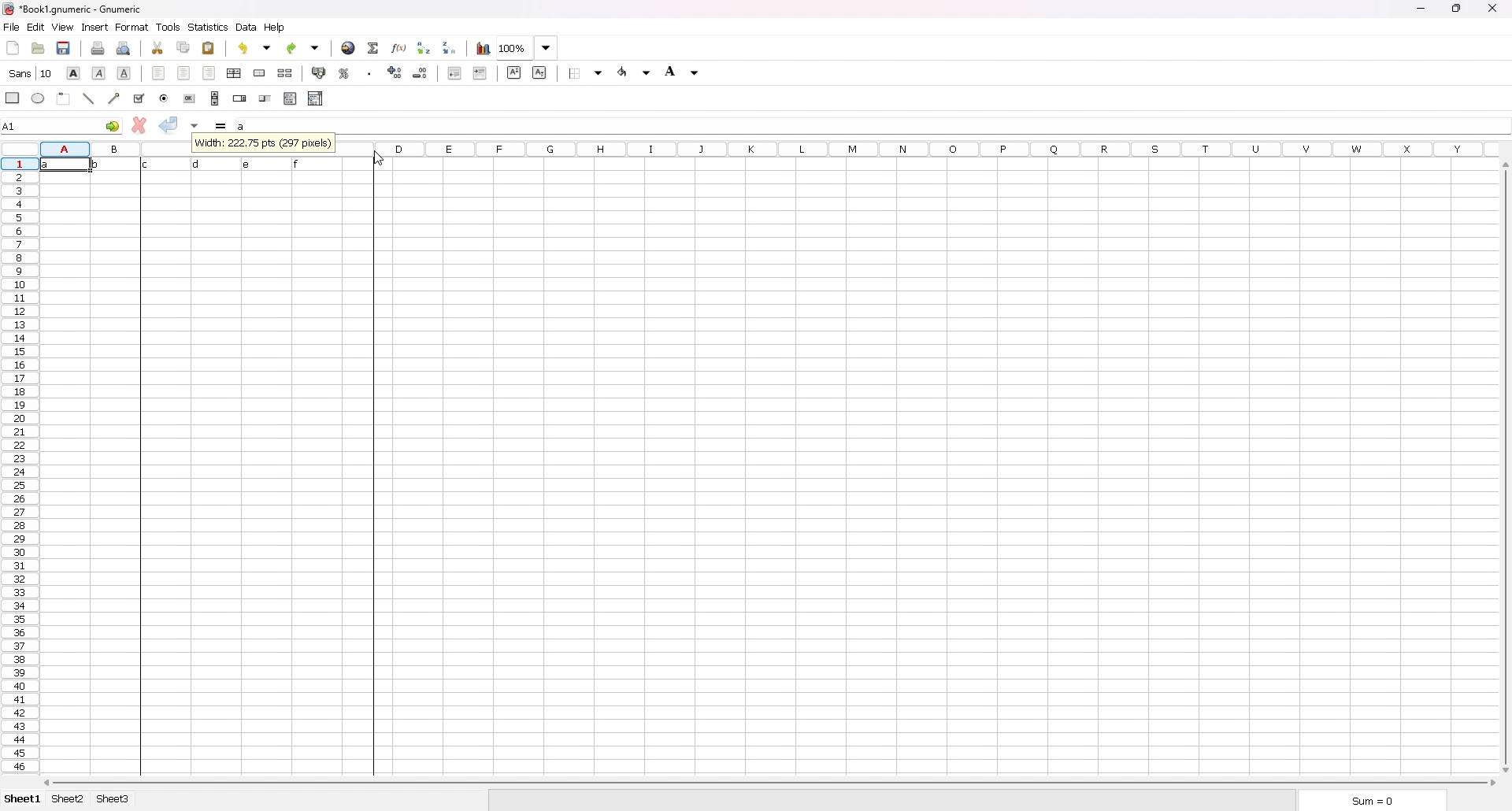  What do you see at coordinates (63, 27) in the screenshot?
I see `view` at bounding box center [63, 27].